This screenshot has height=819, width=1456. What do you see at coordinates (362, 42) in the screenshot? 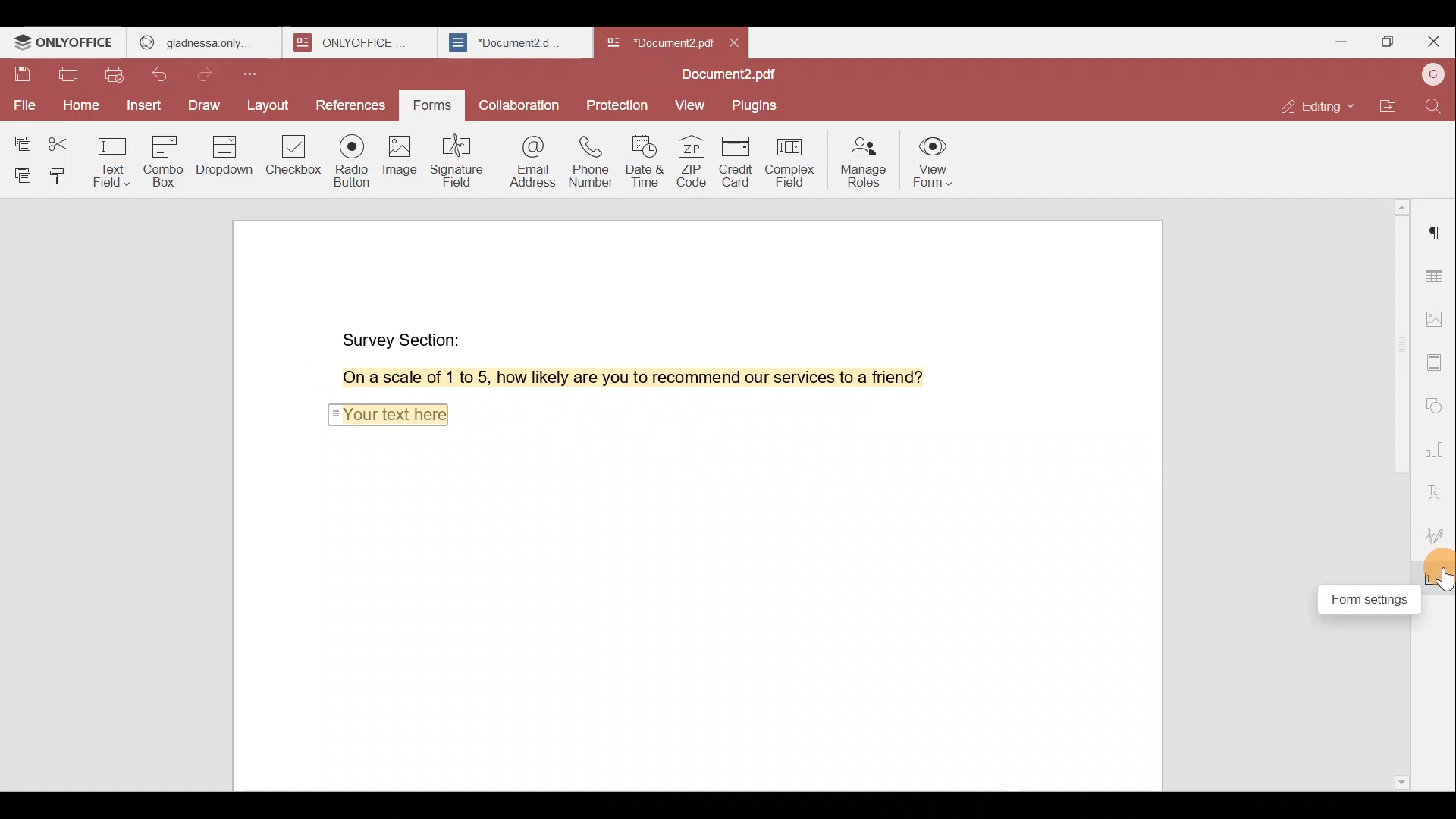
I see `ONLYOFFICE` at bounding box center [362, 42].